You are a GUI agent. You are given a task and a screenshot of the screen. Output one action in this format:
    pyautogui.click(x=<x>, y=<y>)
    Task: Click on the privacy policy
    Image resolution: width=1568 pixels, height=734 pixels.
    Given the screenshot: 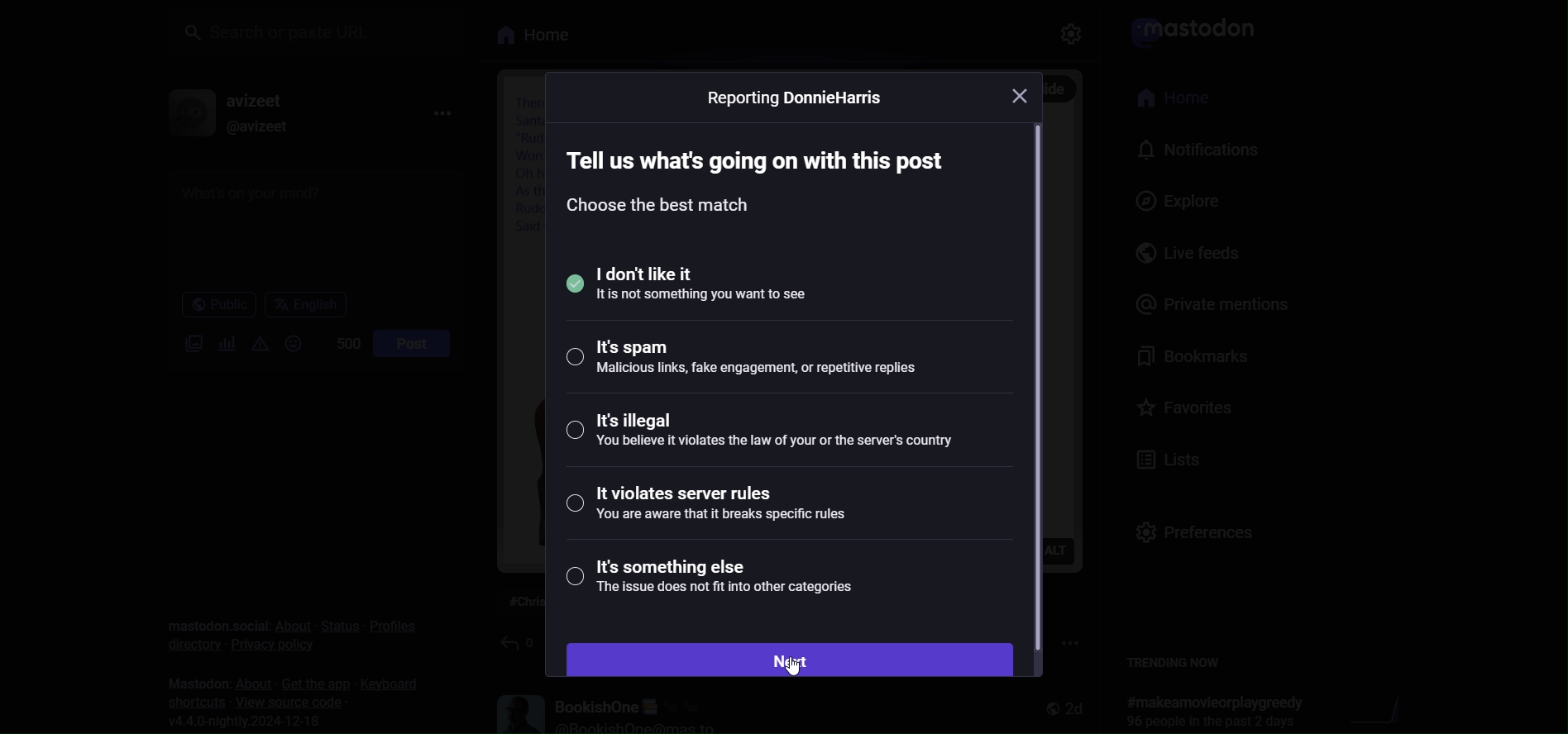 What is the action you would take?
    pyautogui.click(x=271, y=651)
    